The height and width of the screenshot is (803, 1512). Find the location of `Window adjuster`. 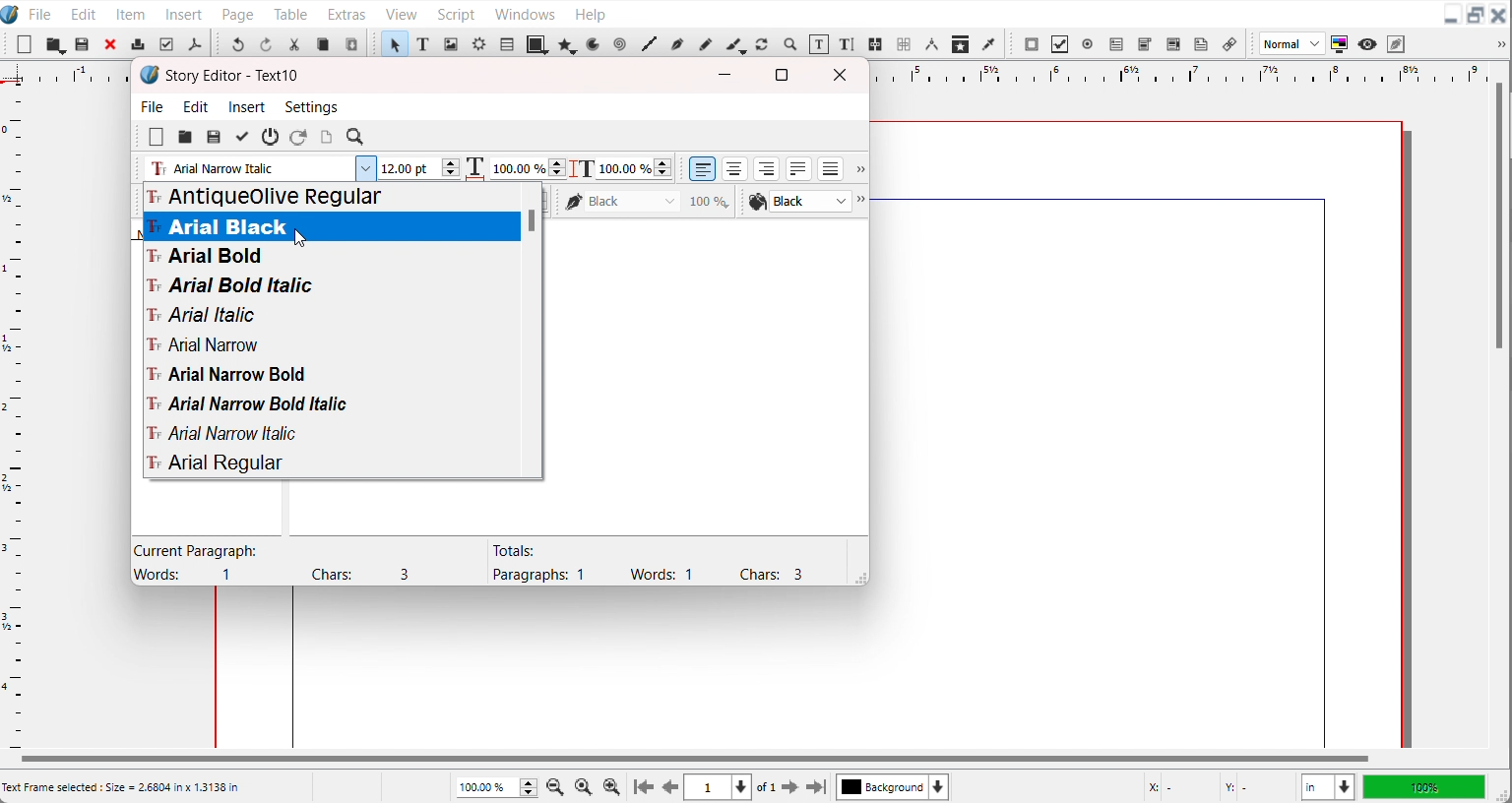

Window adjuster is located at coordinates (857, 577).